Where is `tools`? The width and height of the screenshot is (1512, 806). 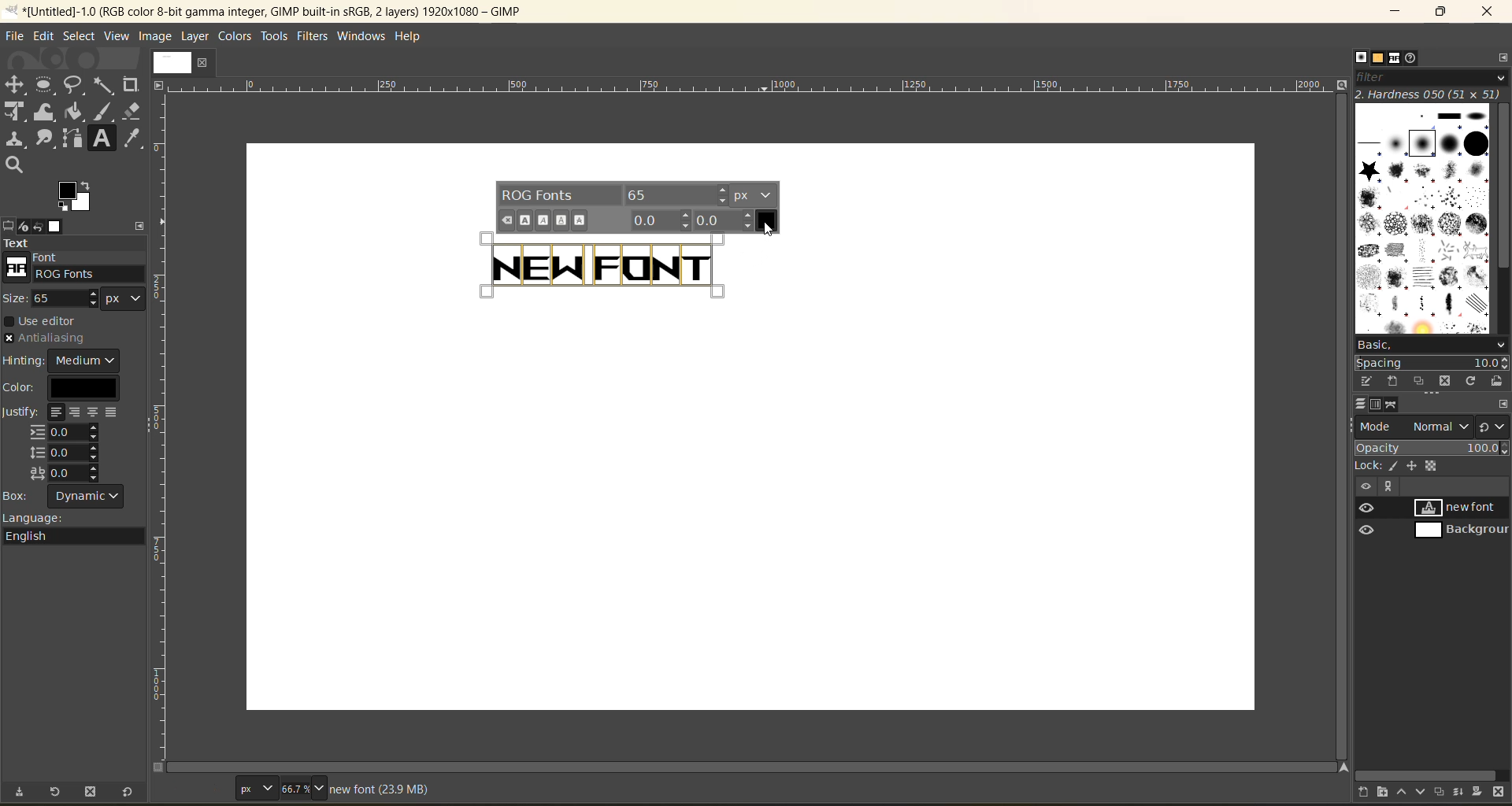
tools is located at coordinates (274, 36).